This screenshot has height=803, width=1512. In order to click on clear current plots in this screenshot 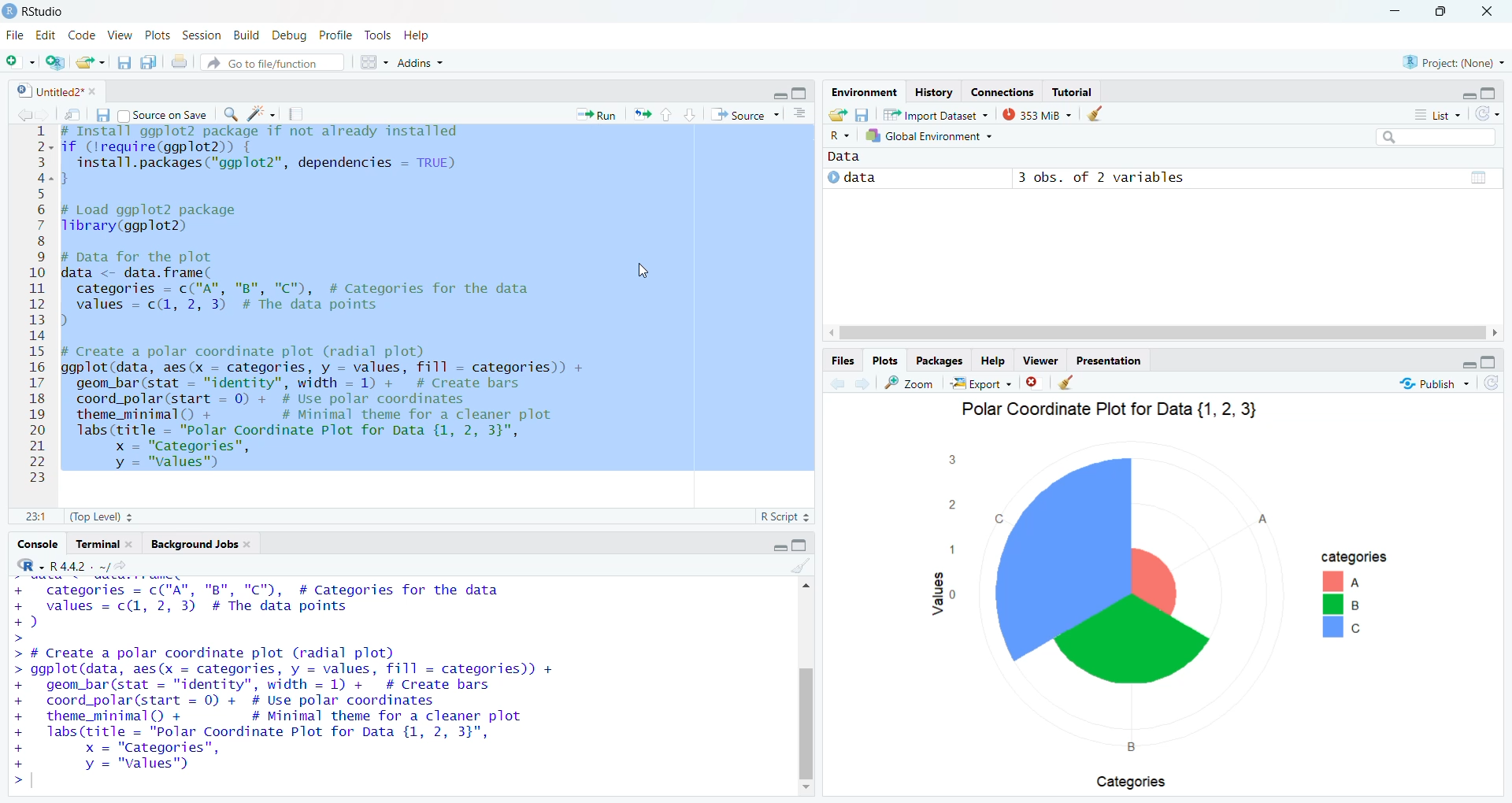, I will do `click(1036, 381)`.